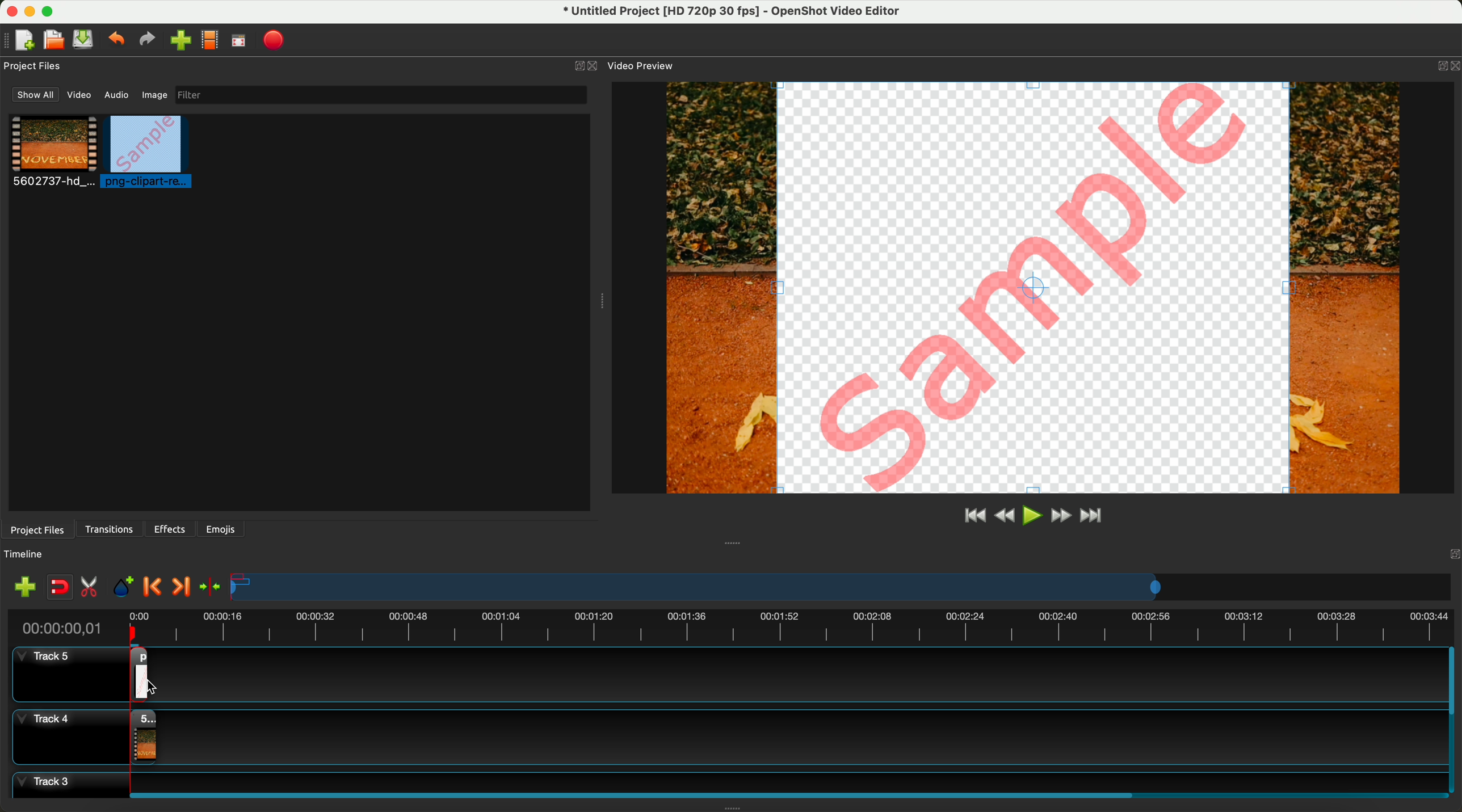 This screenshot has width=1462, height=812. Describe the element at coordinates (733, 808) in the screenshot. I see `Window Expanding` at that location.